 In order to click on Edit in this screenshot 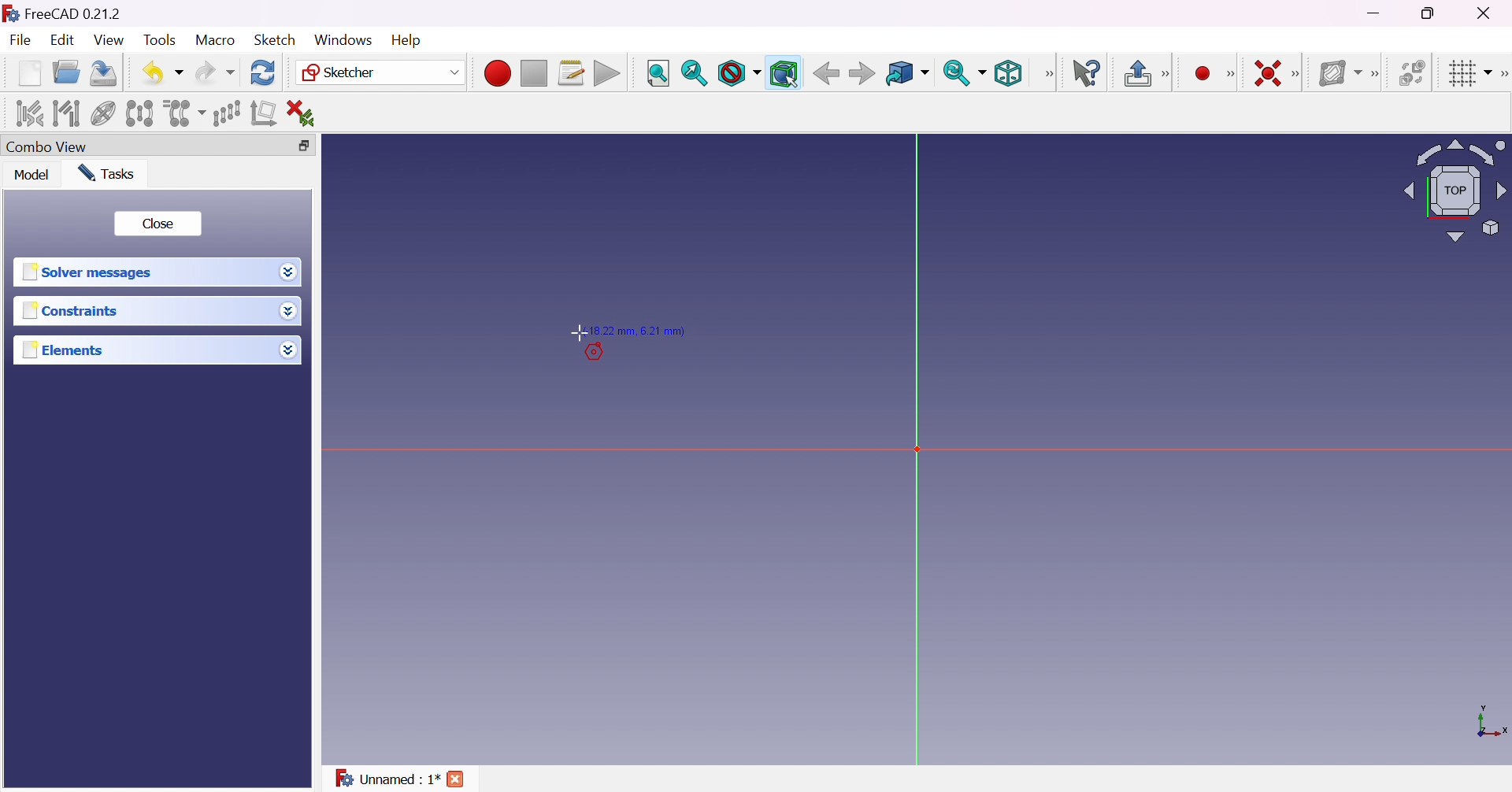, I will do `click(65, 40)`.